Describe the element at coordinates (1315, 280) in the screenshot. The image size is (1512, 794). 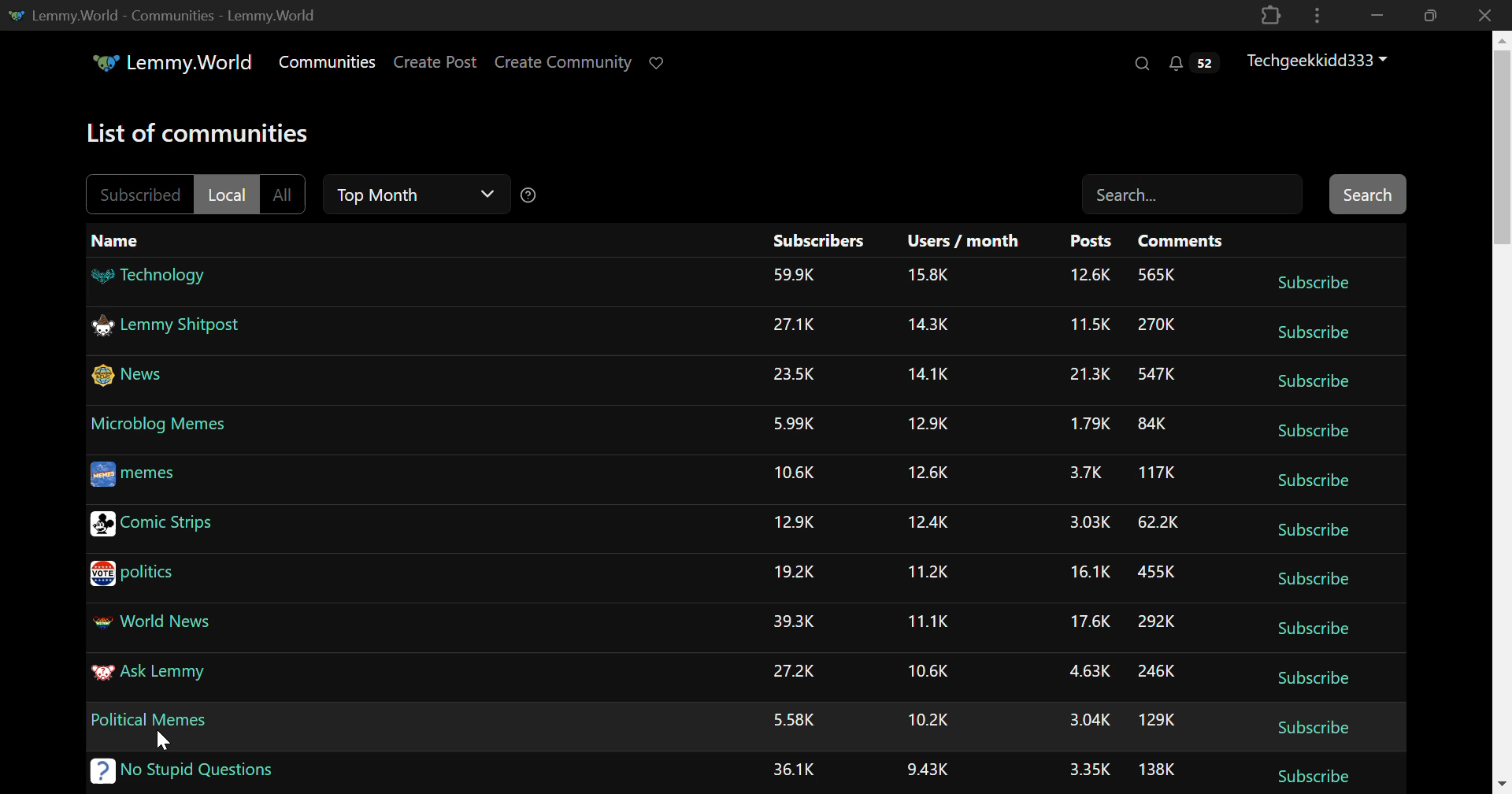
I see `Subscribe` at that location.